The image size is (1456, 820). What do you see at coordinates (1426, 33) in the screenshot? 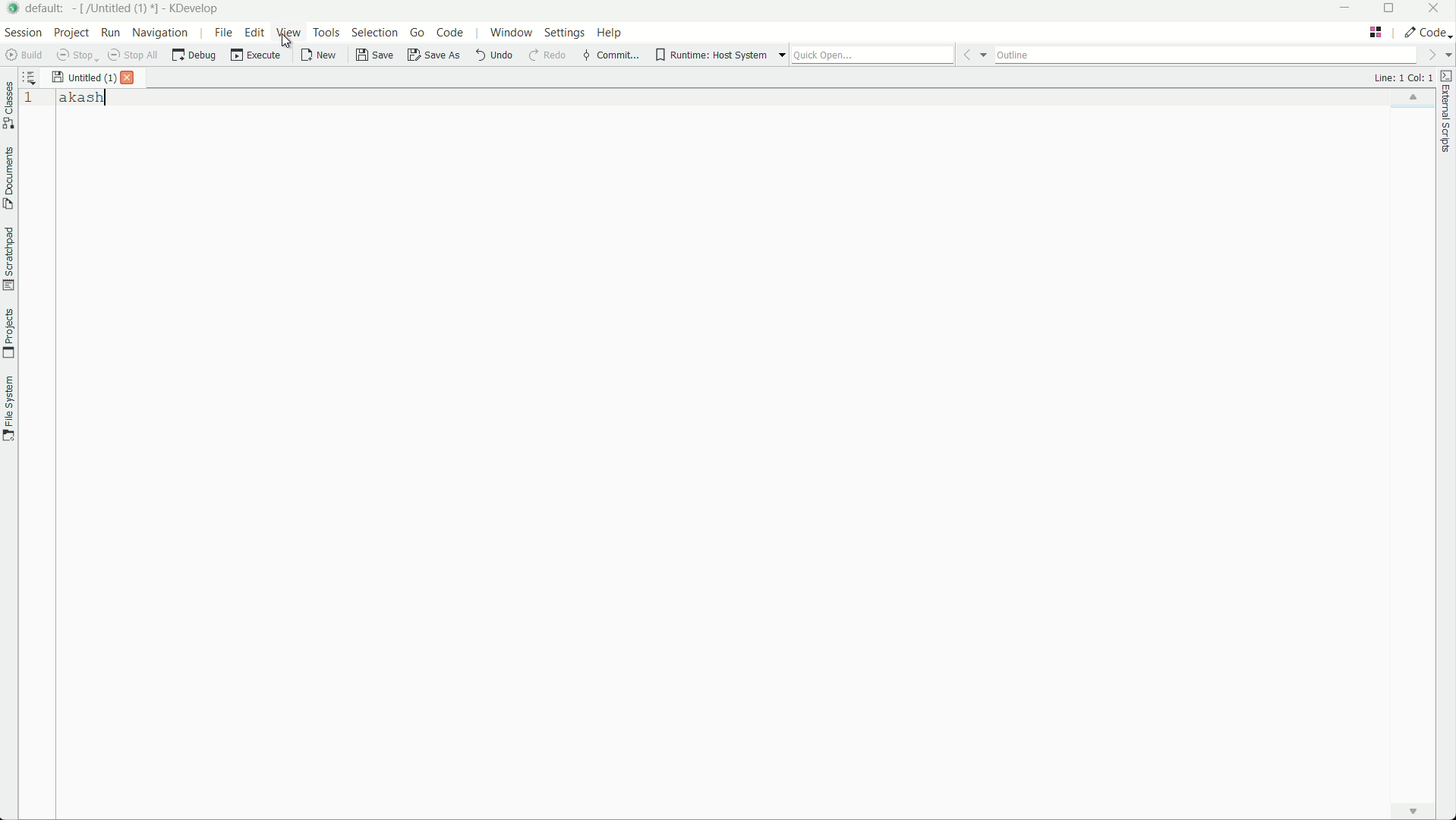
I see `execute actions to change the area` at bounding box center [1426, 33].